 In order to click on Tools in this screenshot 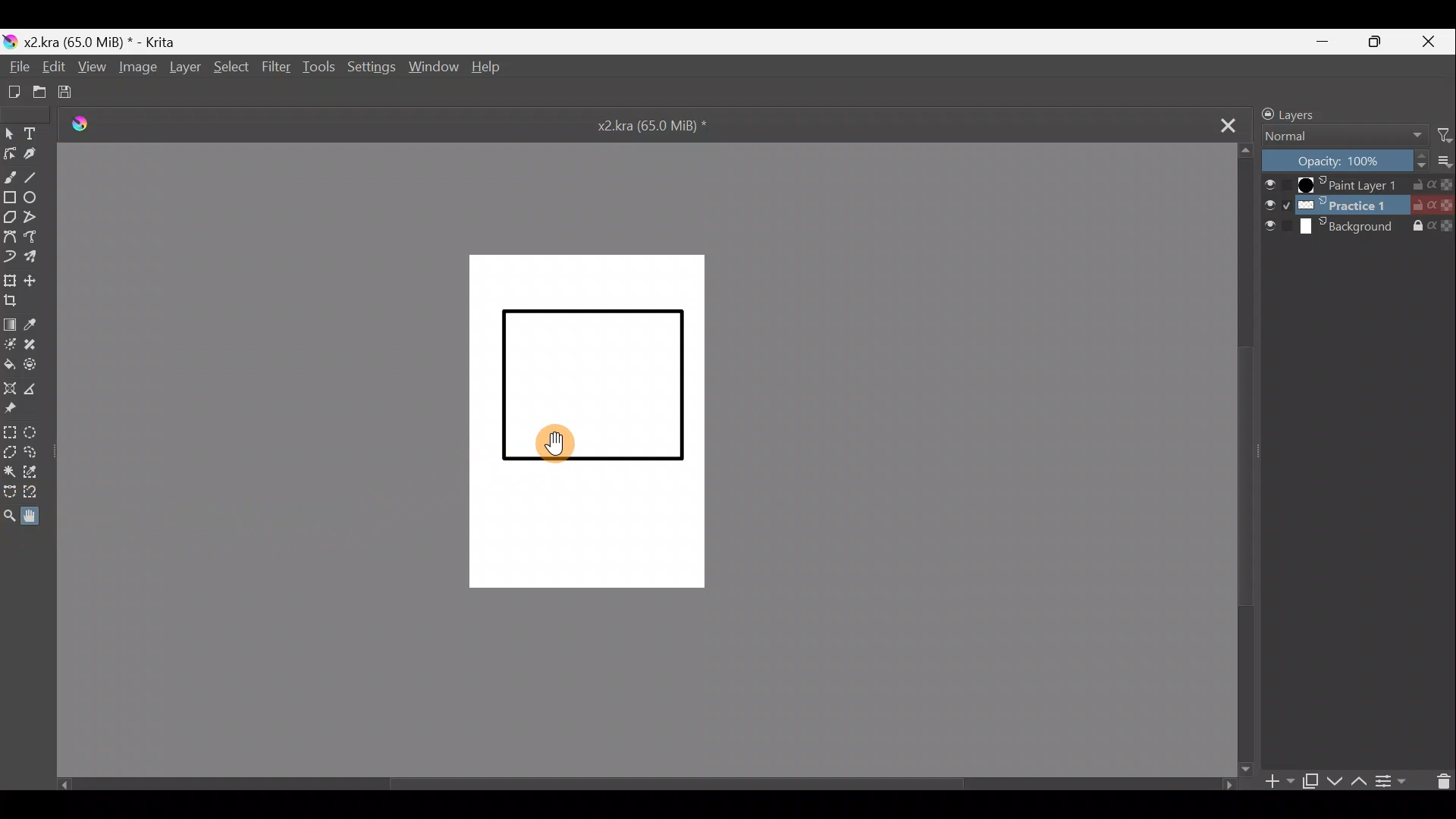, I will do `click(316, 71)`.